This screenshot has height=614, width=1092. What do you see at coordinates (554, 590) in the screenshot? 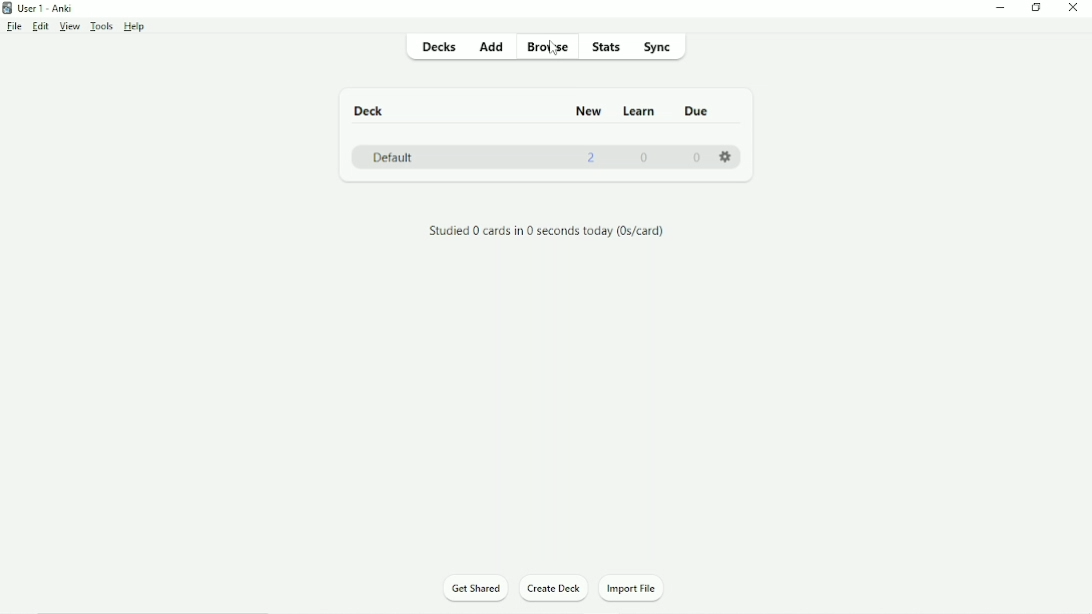
I see `Create Deck` at bounding box center [554, 590].